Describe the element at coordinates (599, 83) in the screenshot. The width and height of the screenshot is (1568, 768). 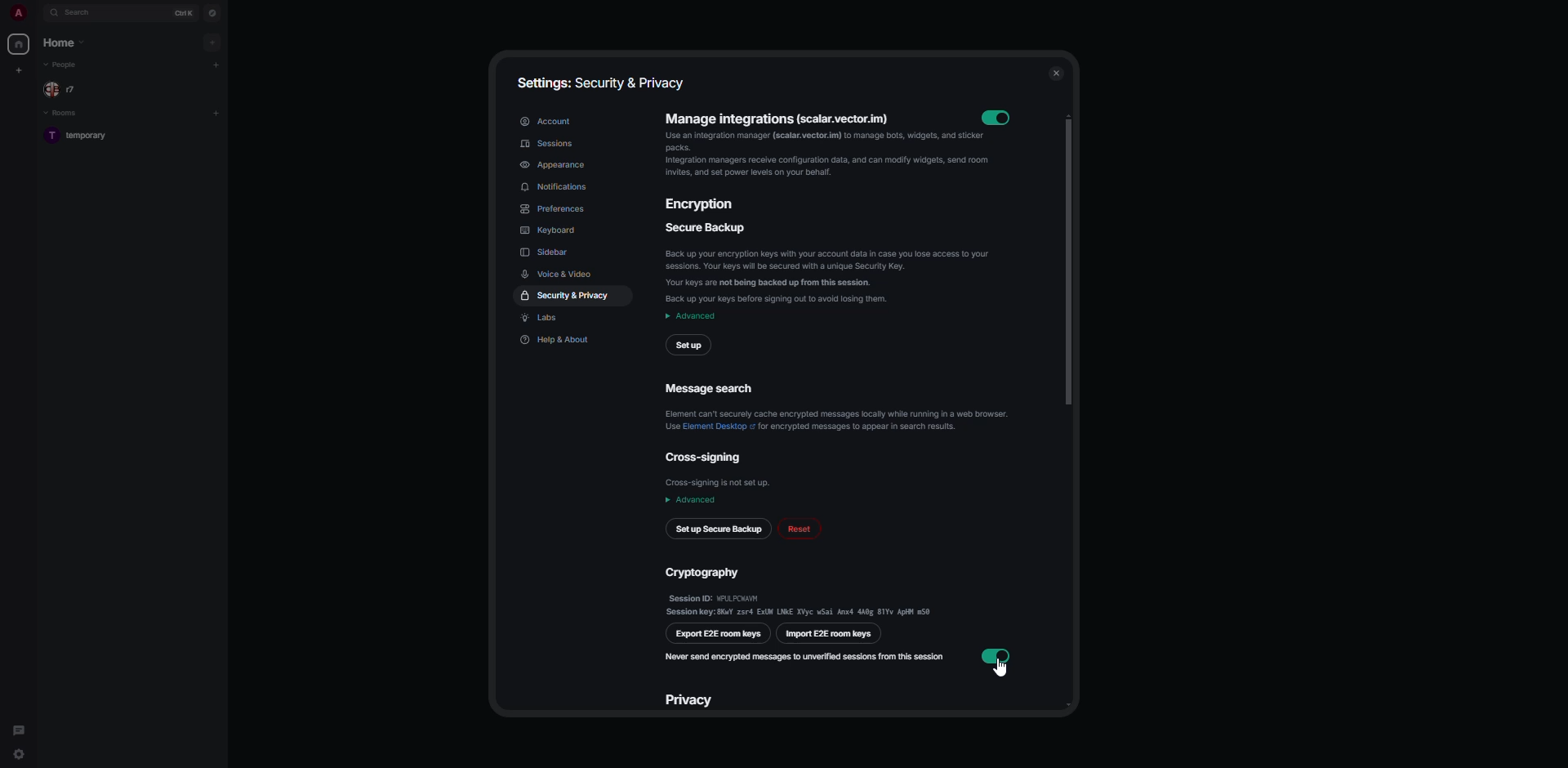
I see `settings: security & privacy` at that location.